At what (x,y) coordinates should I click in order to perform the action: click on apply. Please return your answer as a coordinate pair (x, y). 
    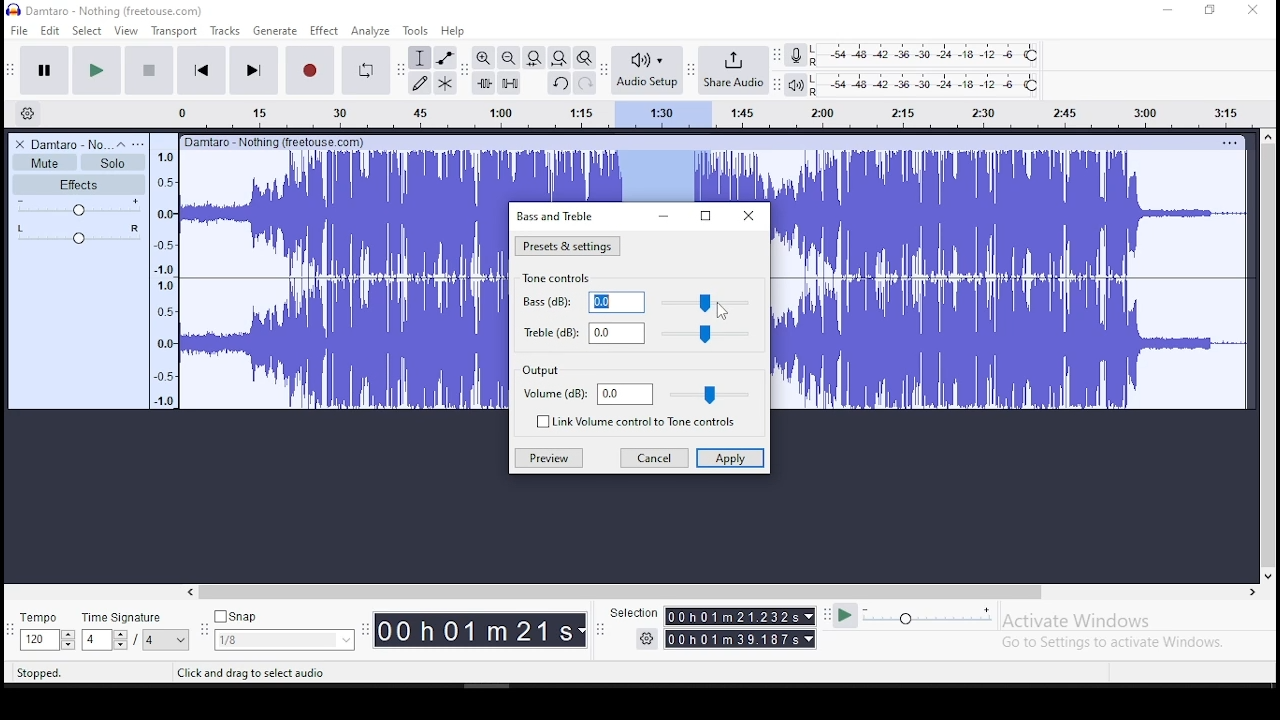
    Looking at the image, I should click on (729, 460).